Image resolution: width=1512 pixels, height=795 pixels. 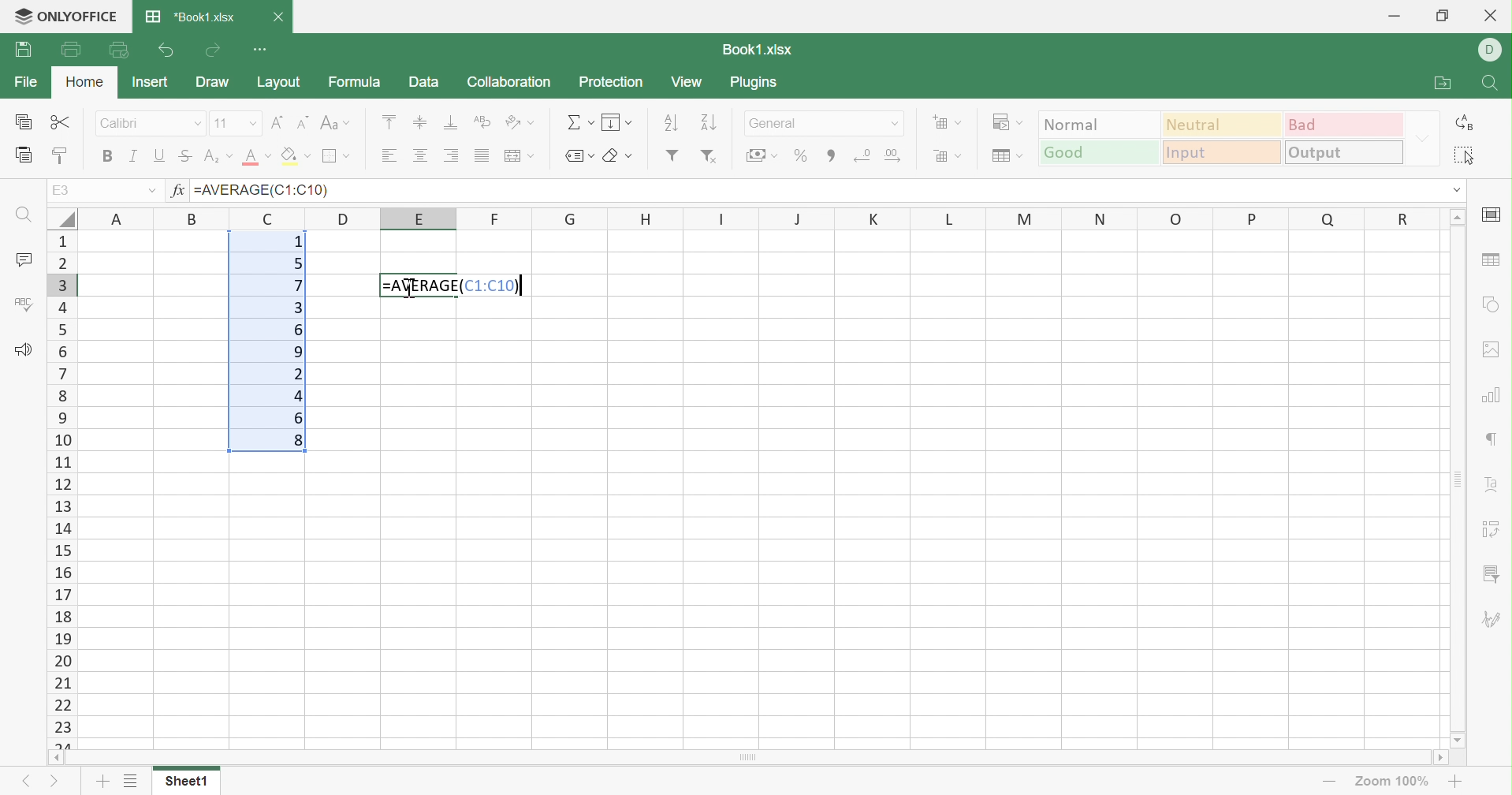 What do you see at coordinates (212, 52) in the screenshot?
I see `Redo` at bounding box center [212, 52].